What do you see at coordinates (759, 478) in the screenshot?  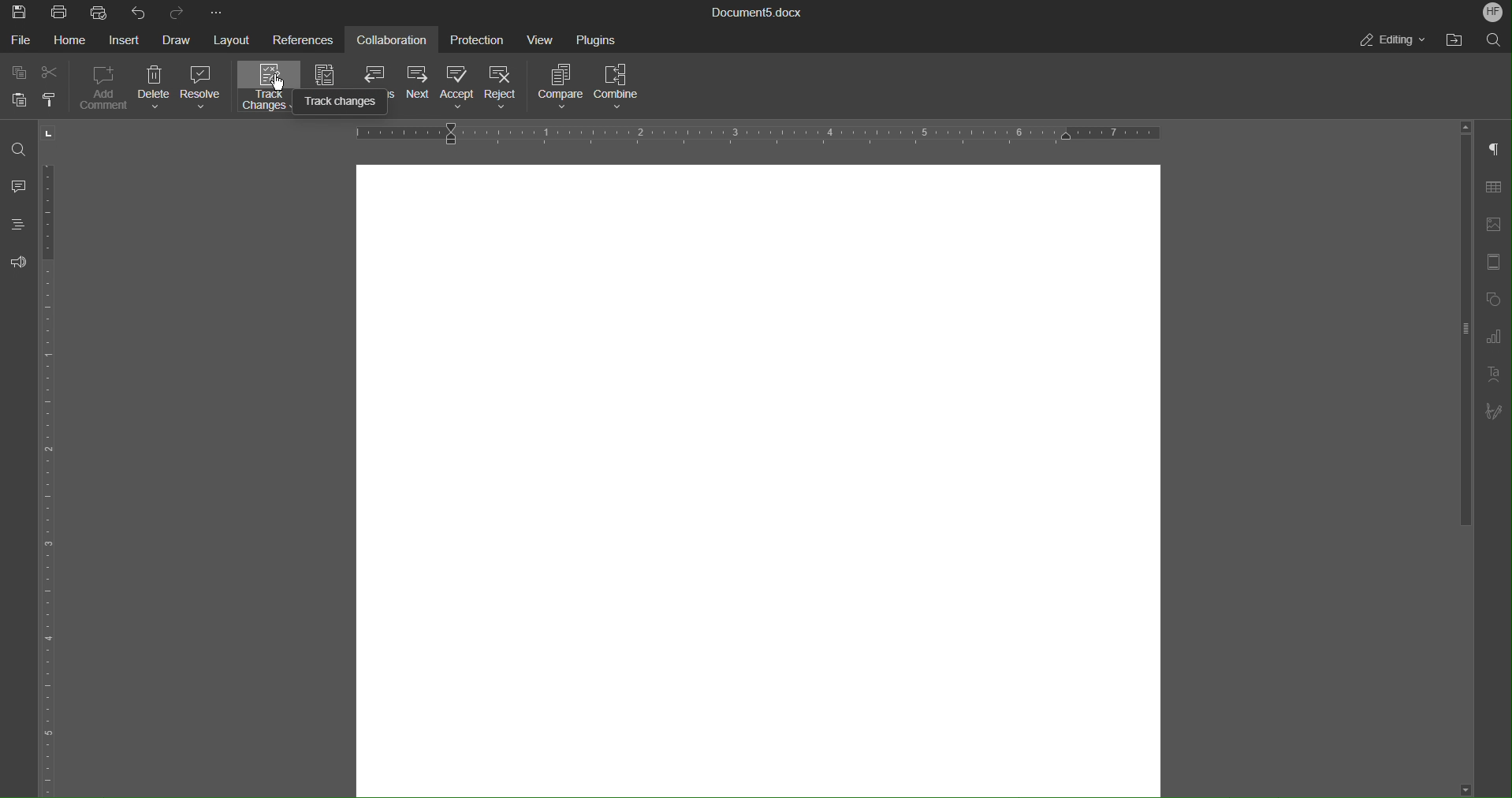 I see `page` at bounding box center [759, 478].